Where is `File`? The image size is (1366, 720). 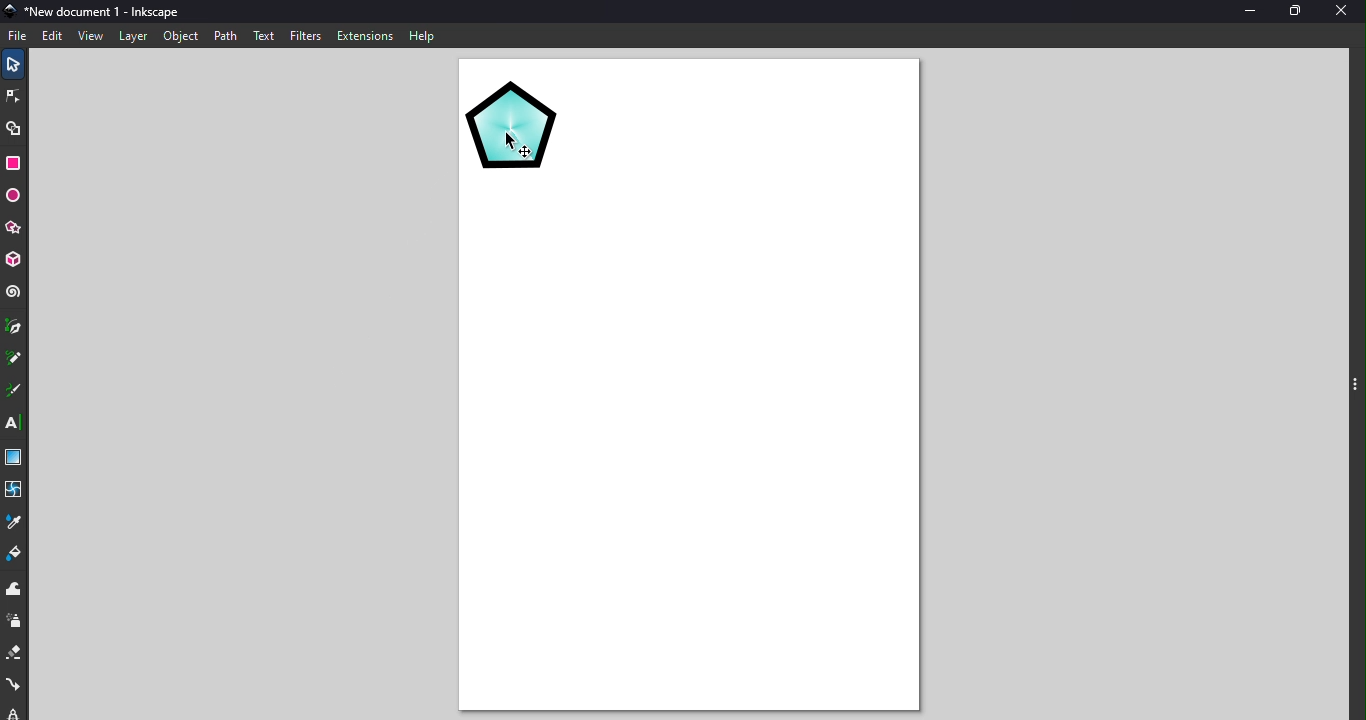 File is located at coordinates (19, 33).